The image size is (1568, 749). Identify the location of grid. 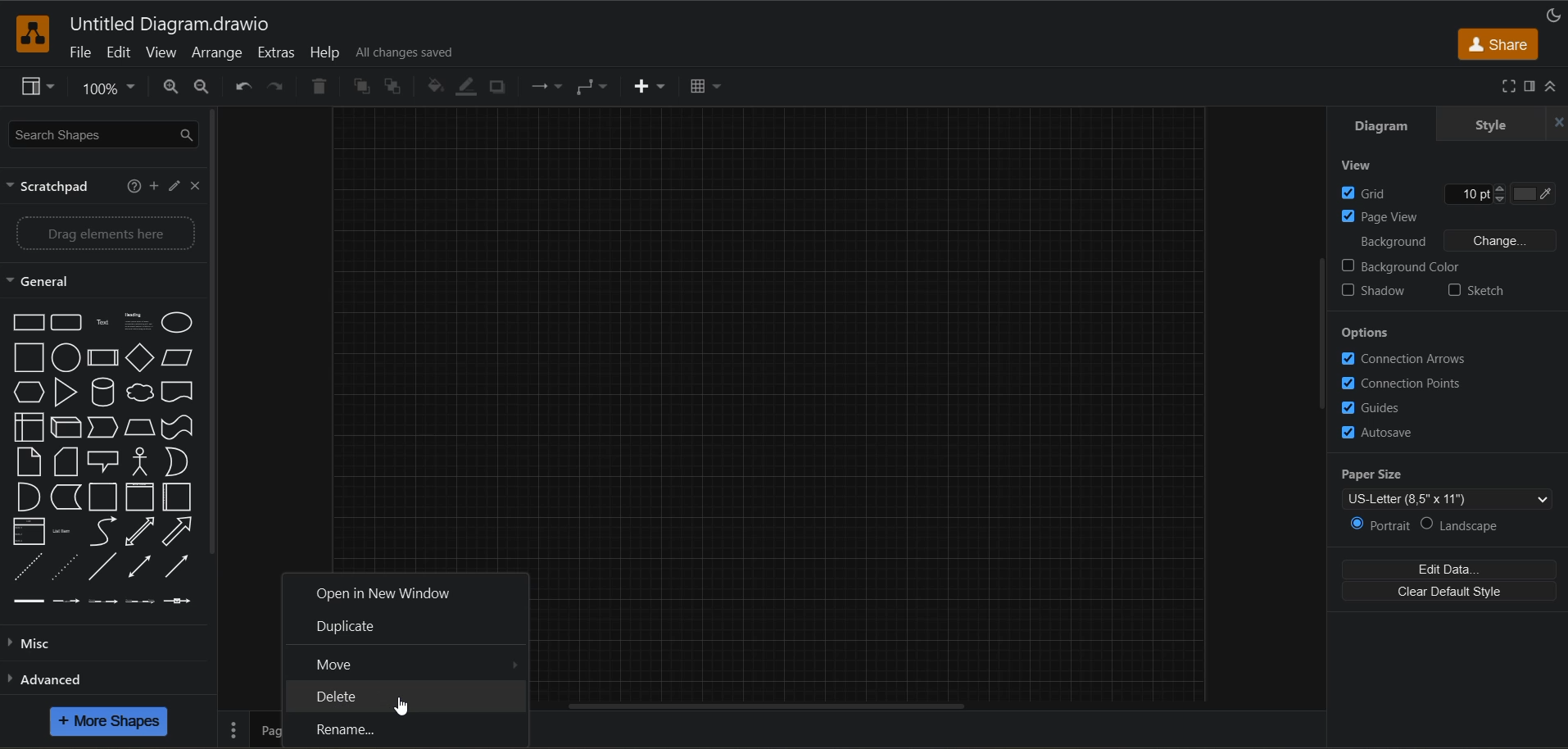
(1371, 192).